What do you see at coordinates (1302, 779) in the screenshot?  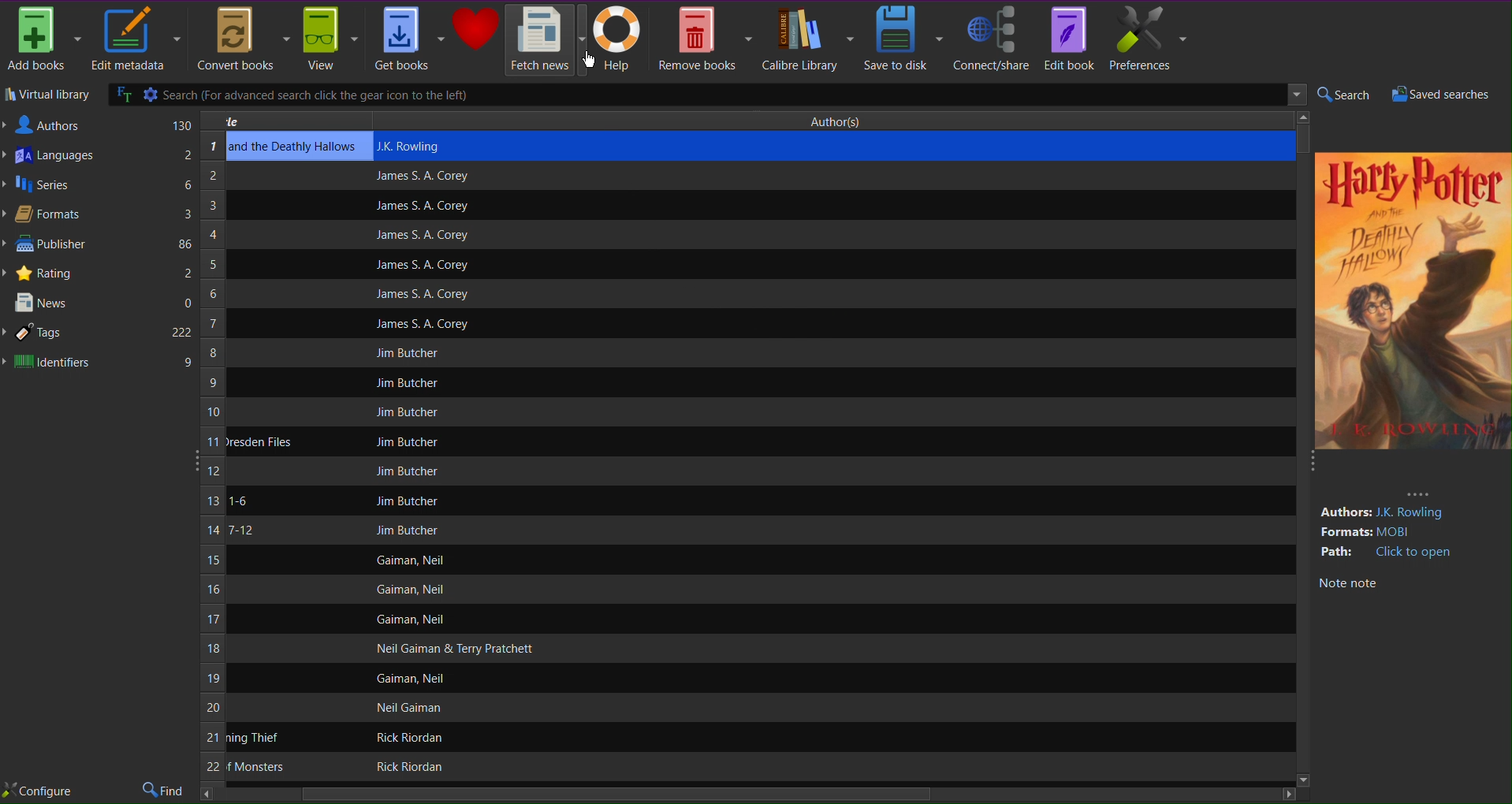 I see `Down` at bounding box center [1302, 779].